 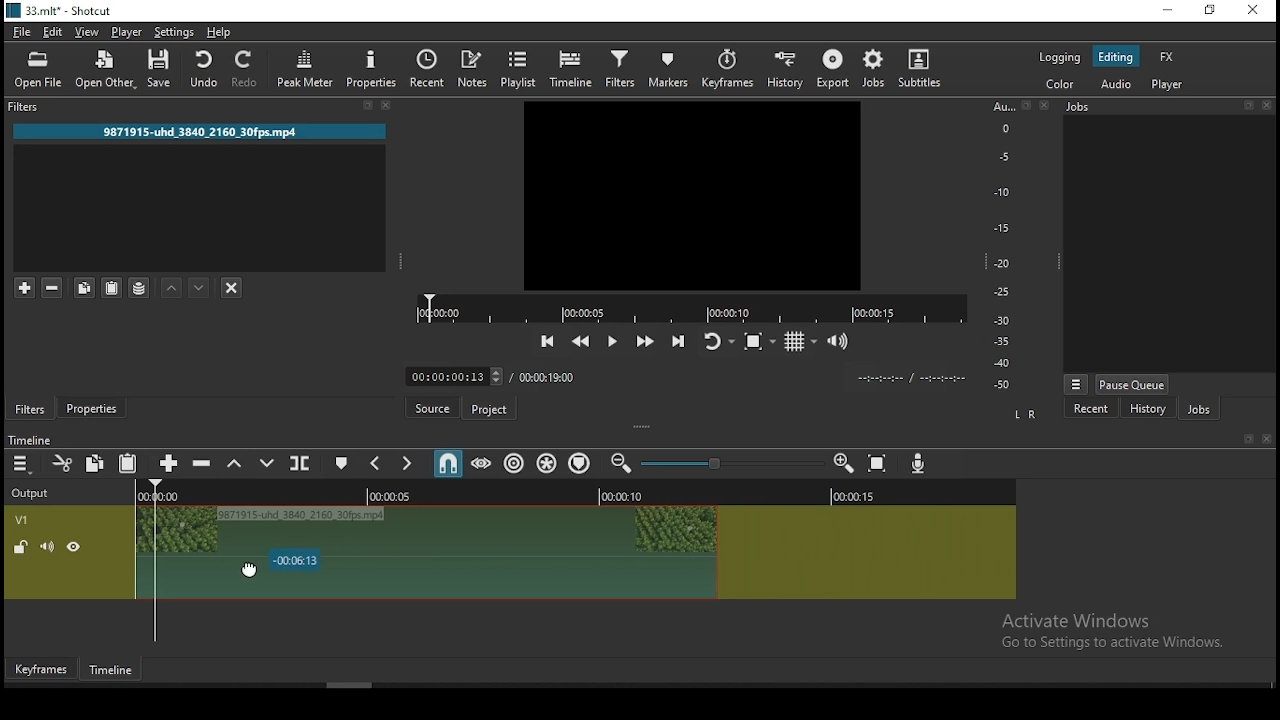 I want to click on Source, so click(x=434, y=406).